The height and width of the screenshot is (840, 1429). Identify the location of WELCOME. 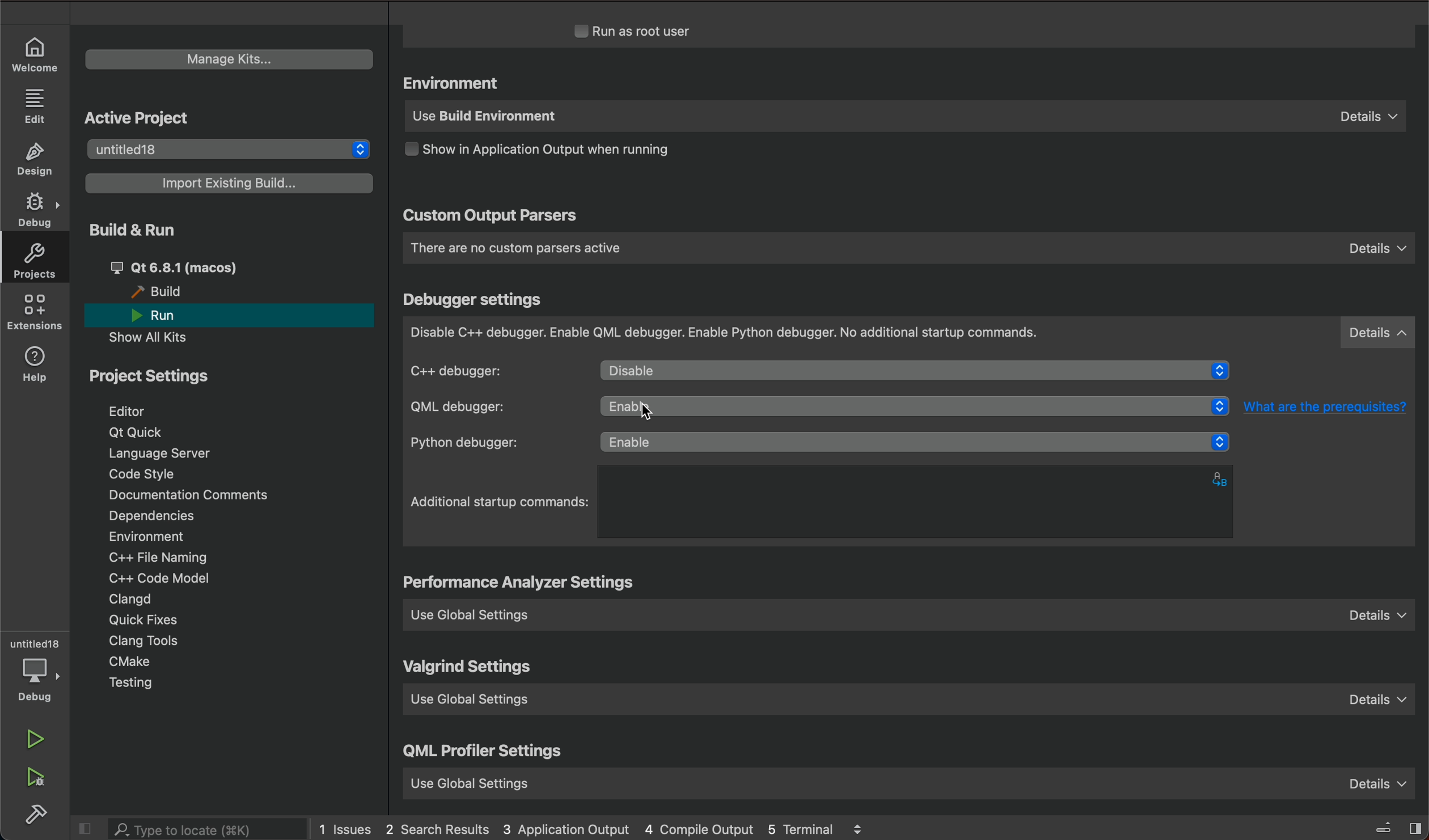
(35, 53).